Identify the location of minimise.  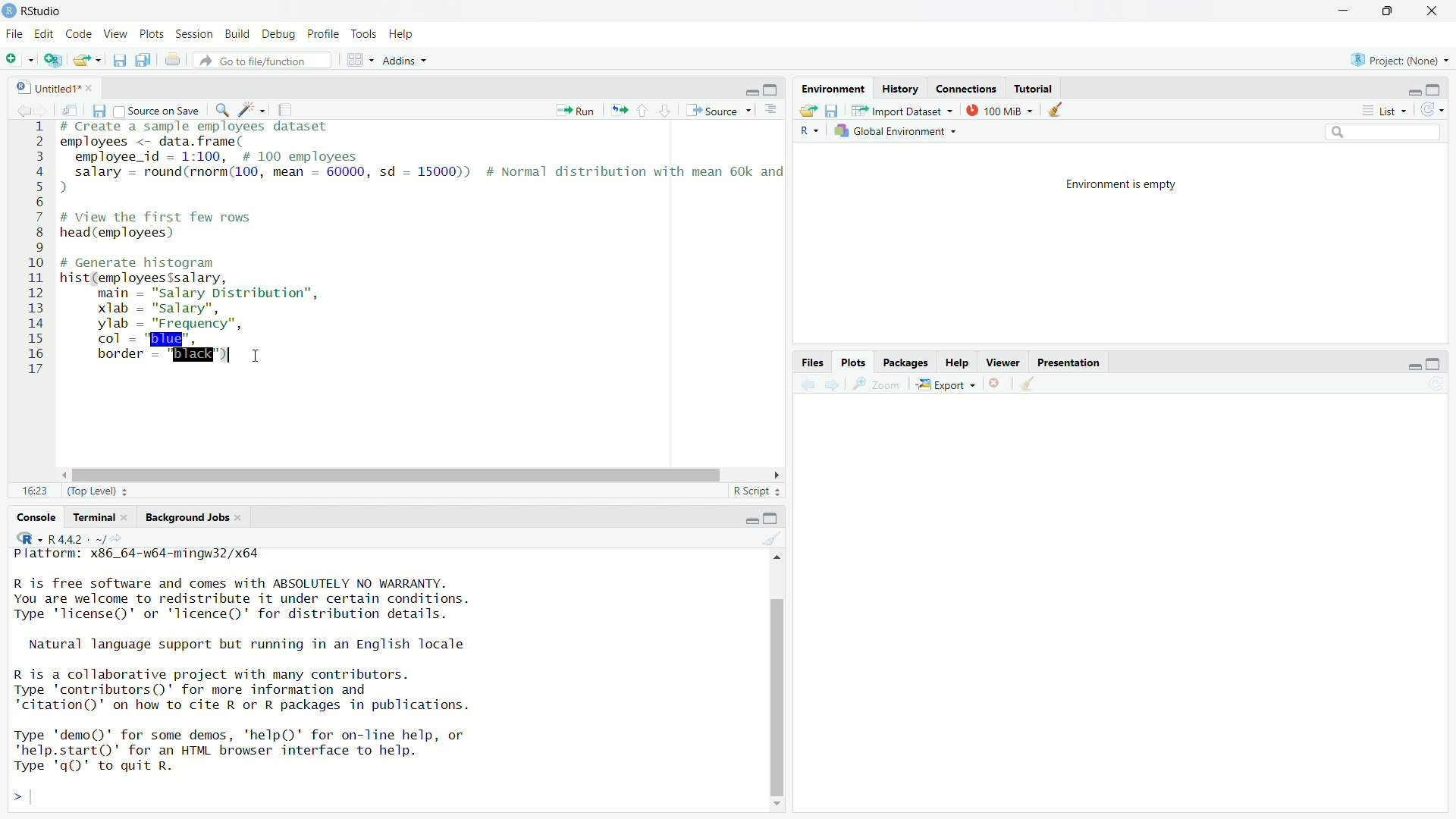
(752, 521).